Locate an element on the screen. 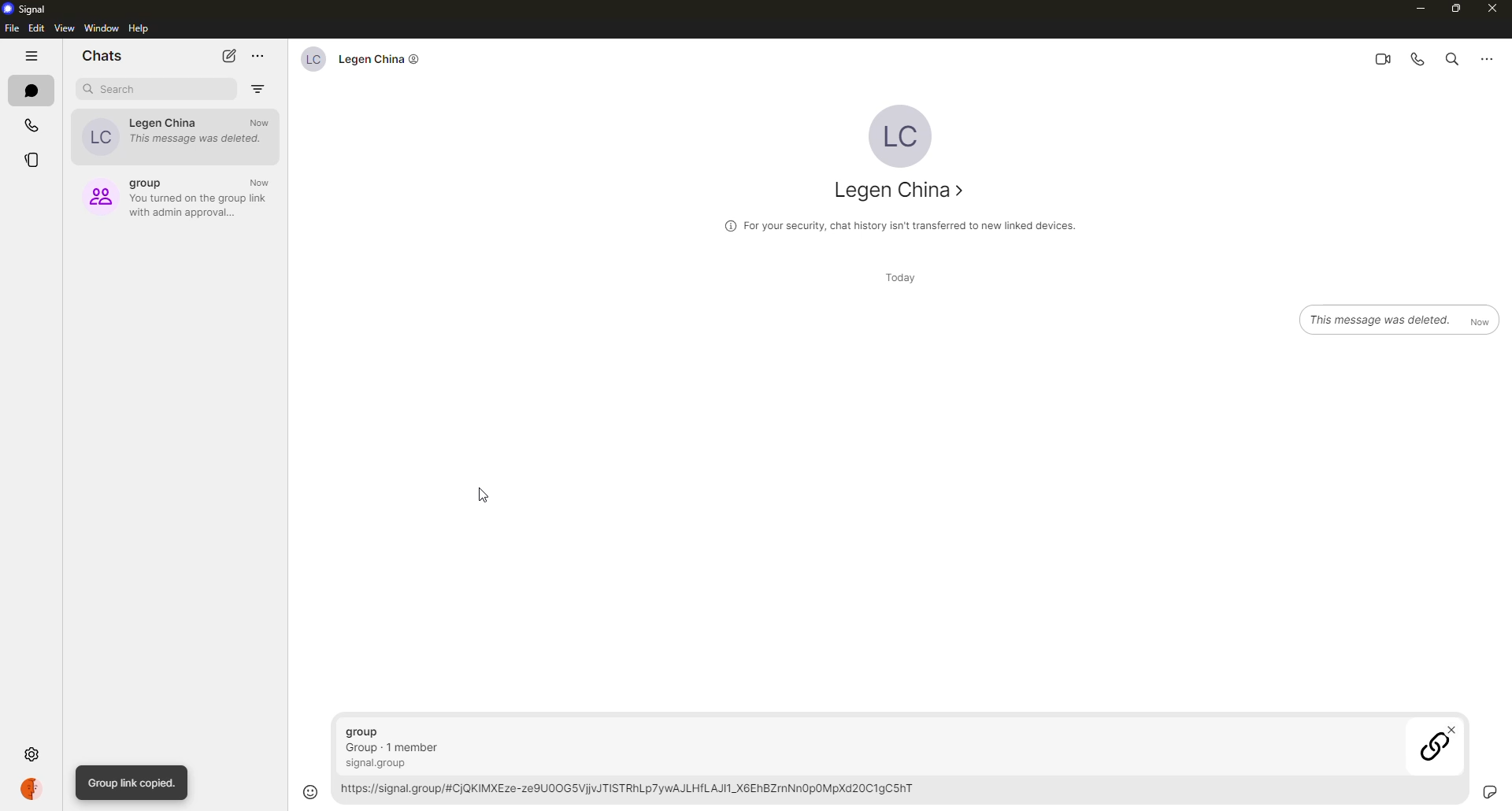 This screenshot has height=811, width=1512. close is located at coordinates (1492, 9).